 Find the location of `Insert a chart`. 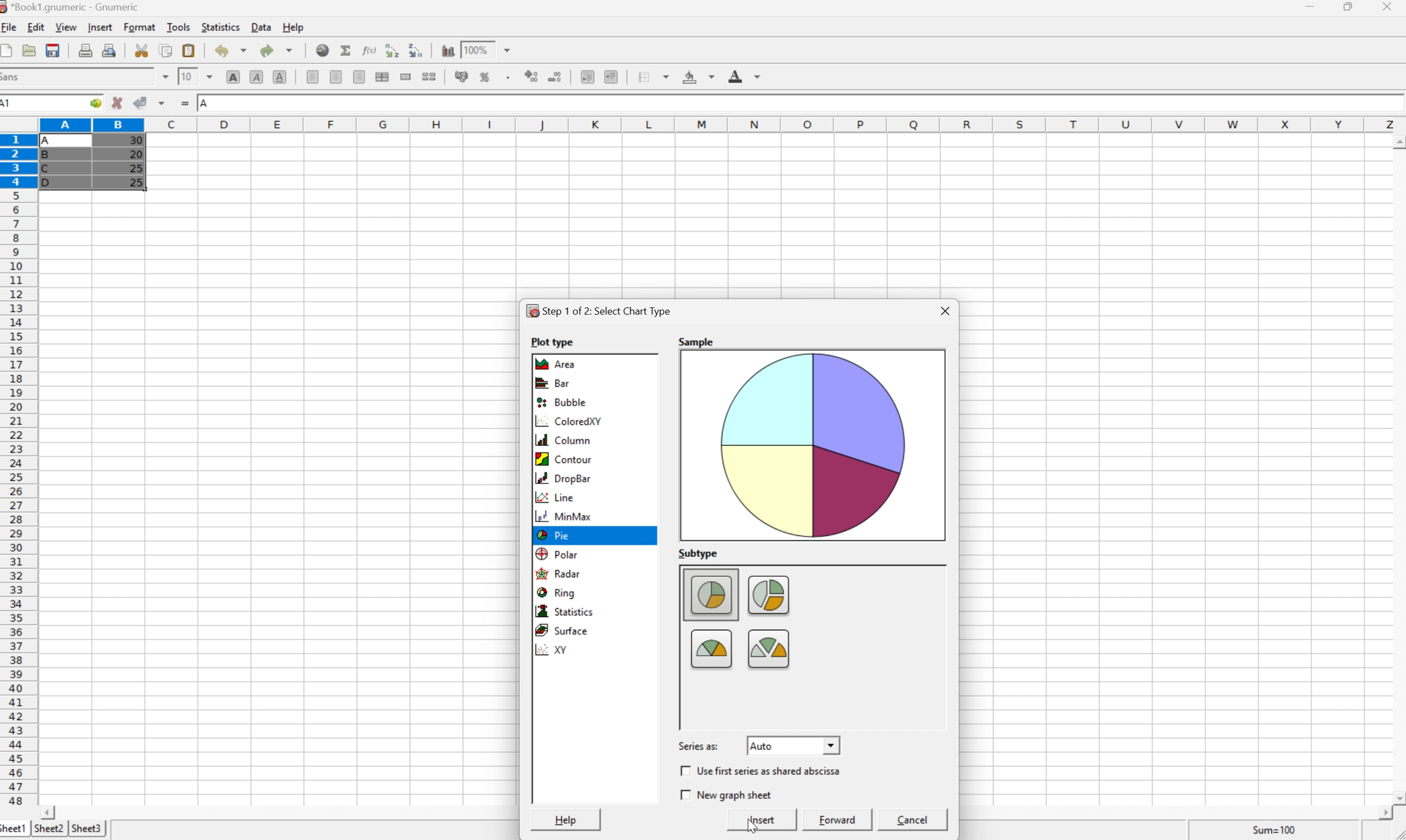

Insert a chart is located at coordinates (447, 48).